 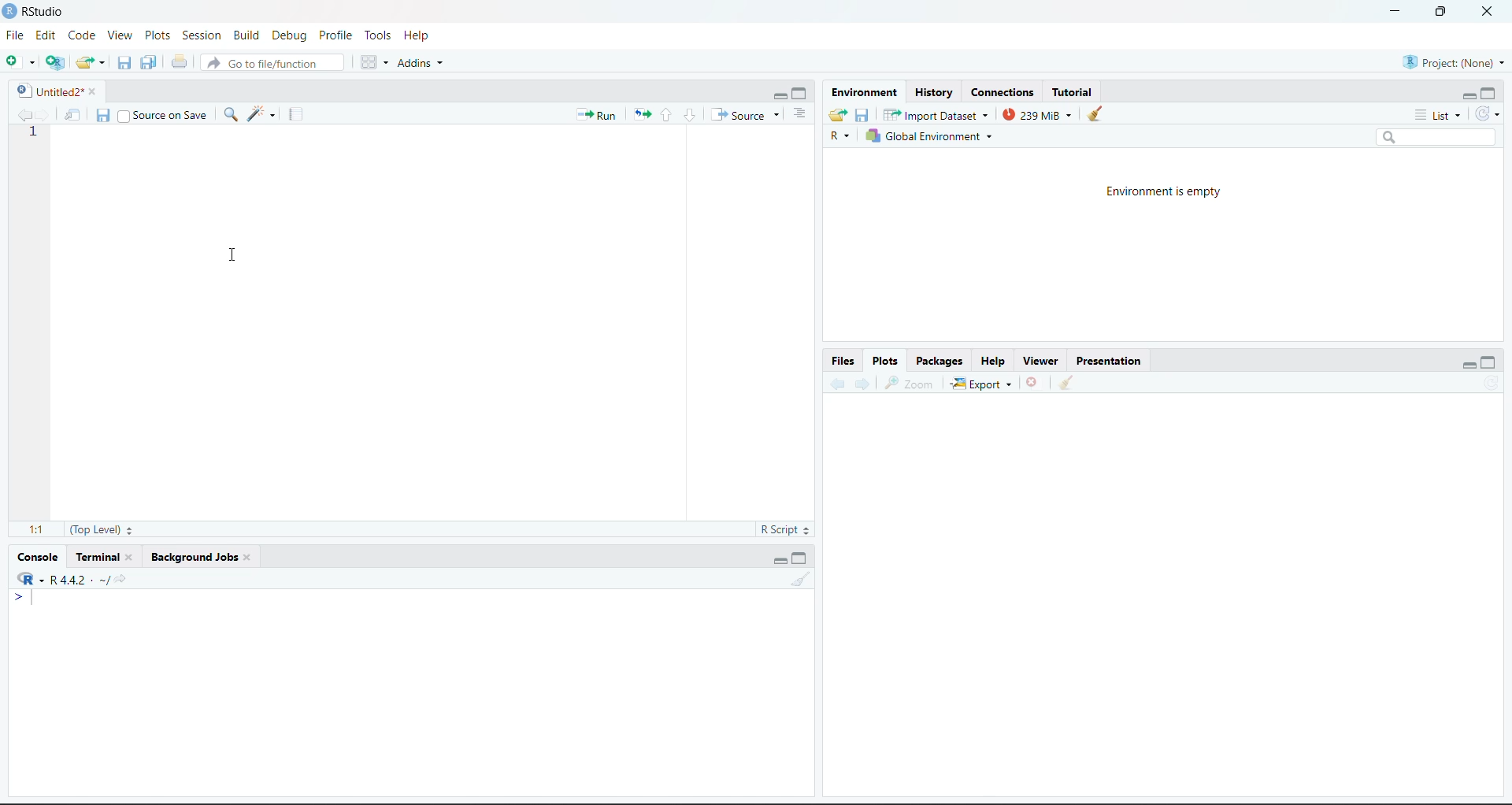 What do you see at coordinates (1452, 61) in the screenshot?
I see `Project (Note)` at bounding box center [1452, 61].